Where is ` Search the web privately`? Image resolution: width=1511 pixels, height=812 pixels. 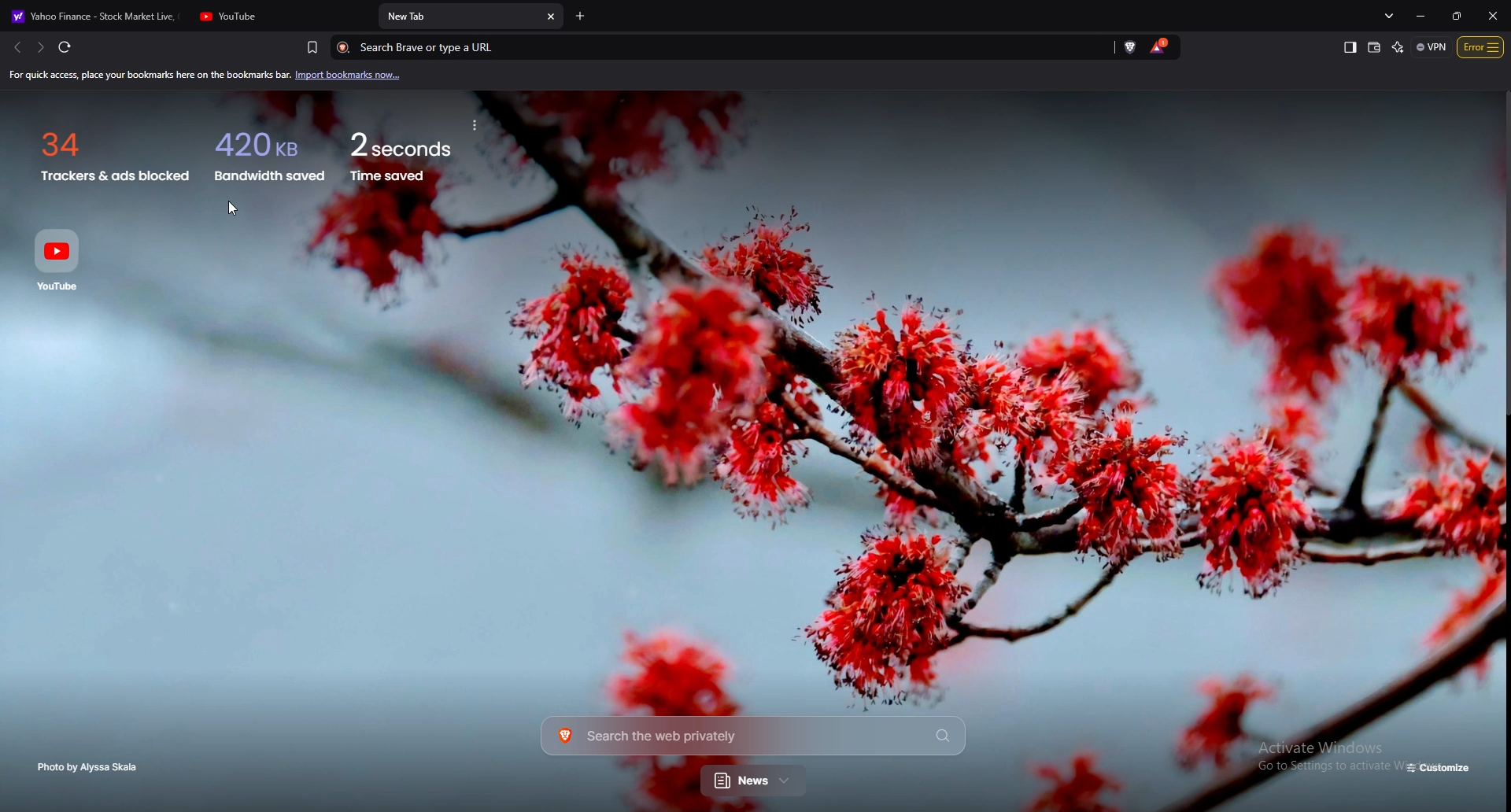  Search the web privately is located at coordinates (752, 735).